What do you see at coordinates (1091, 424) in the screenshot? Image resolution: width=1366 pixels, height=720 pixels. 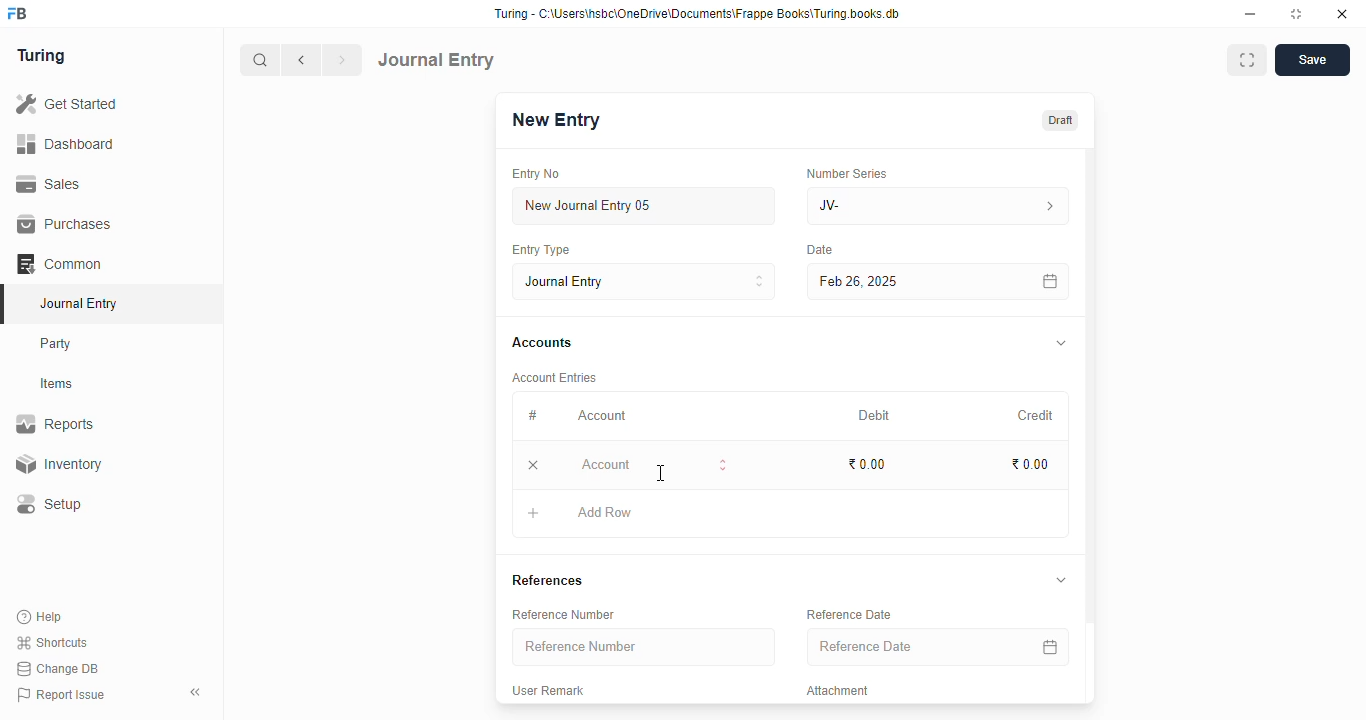 I see `scroll bar` at bounding box center [1091, 424].